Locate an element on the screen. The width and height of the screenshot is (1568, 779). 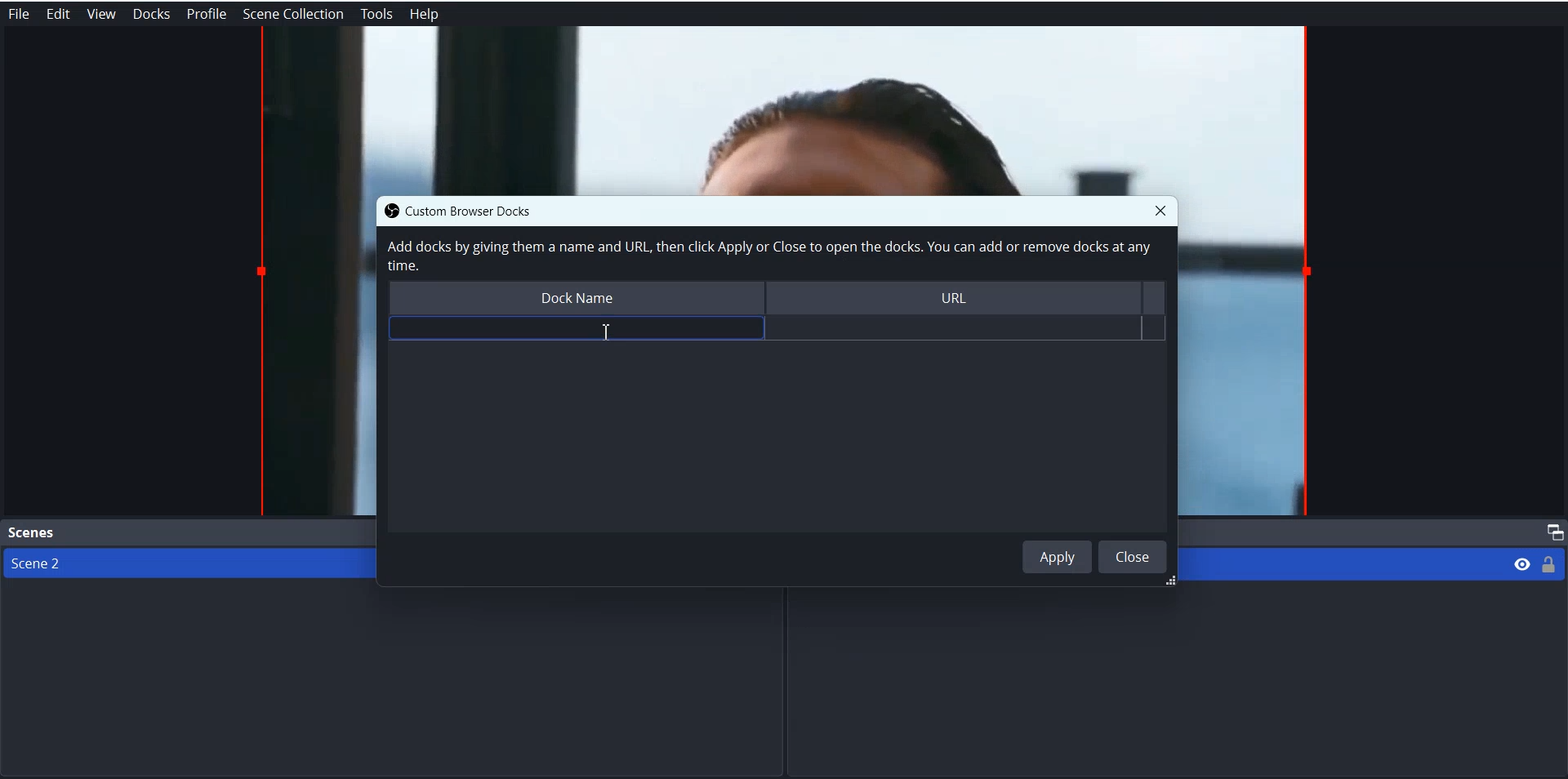
File Preview window is located at coordinates (784, 109).